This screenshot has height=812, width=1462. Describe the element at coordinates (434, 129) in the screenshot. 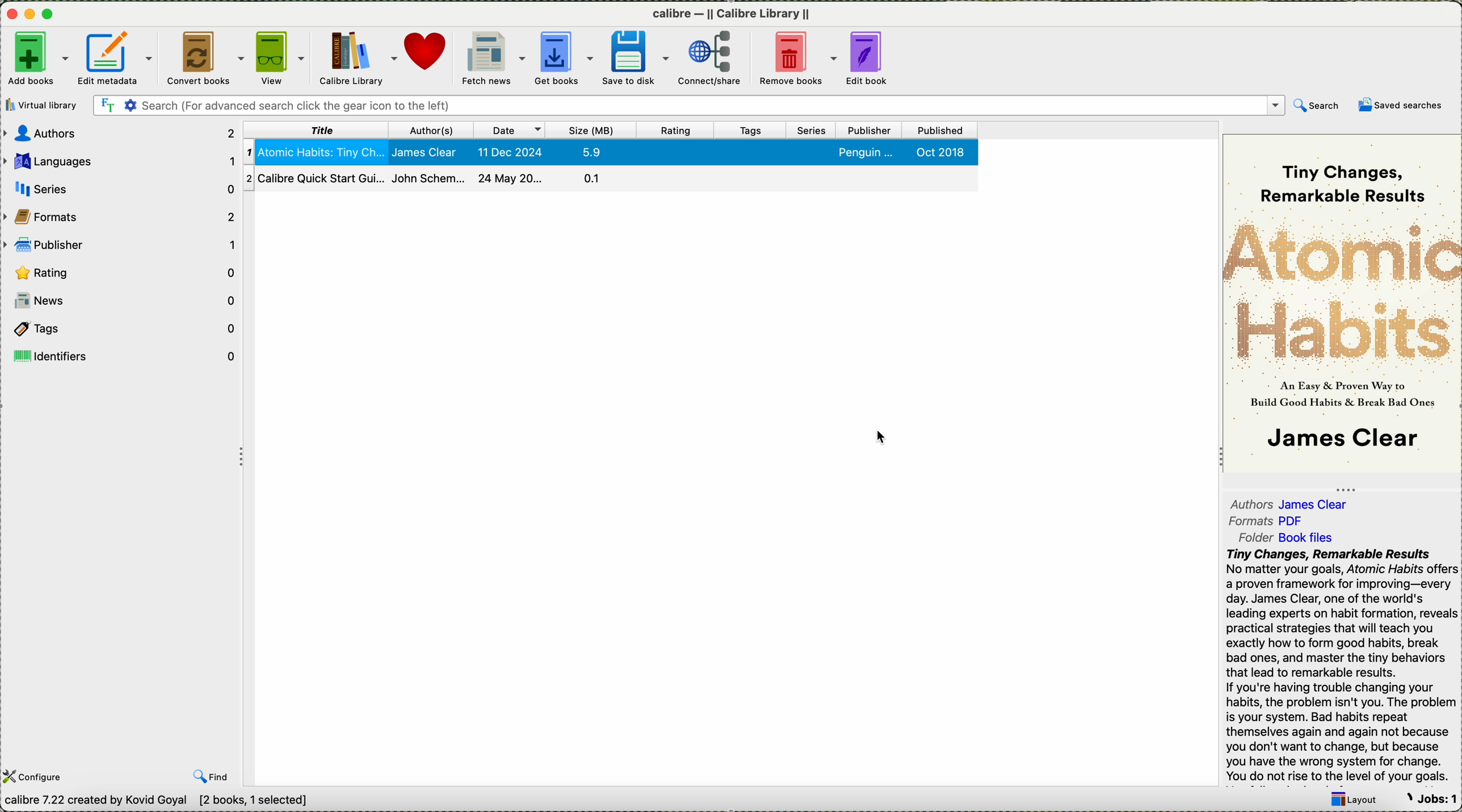

I see `authors` at that location.